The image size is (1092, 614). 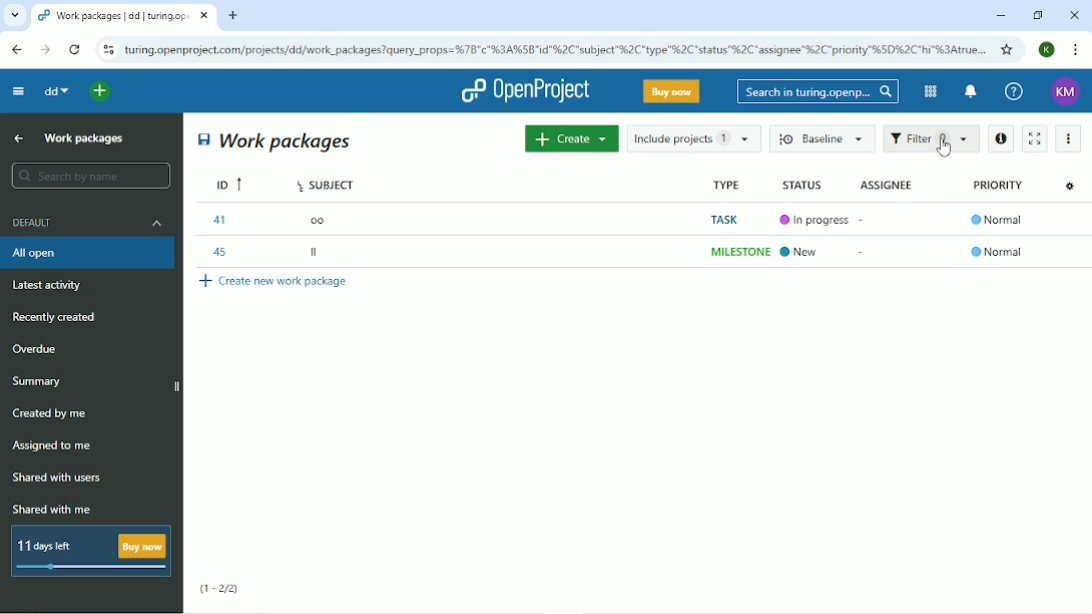 I want to click on Account, so click(x=1066, y=92).